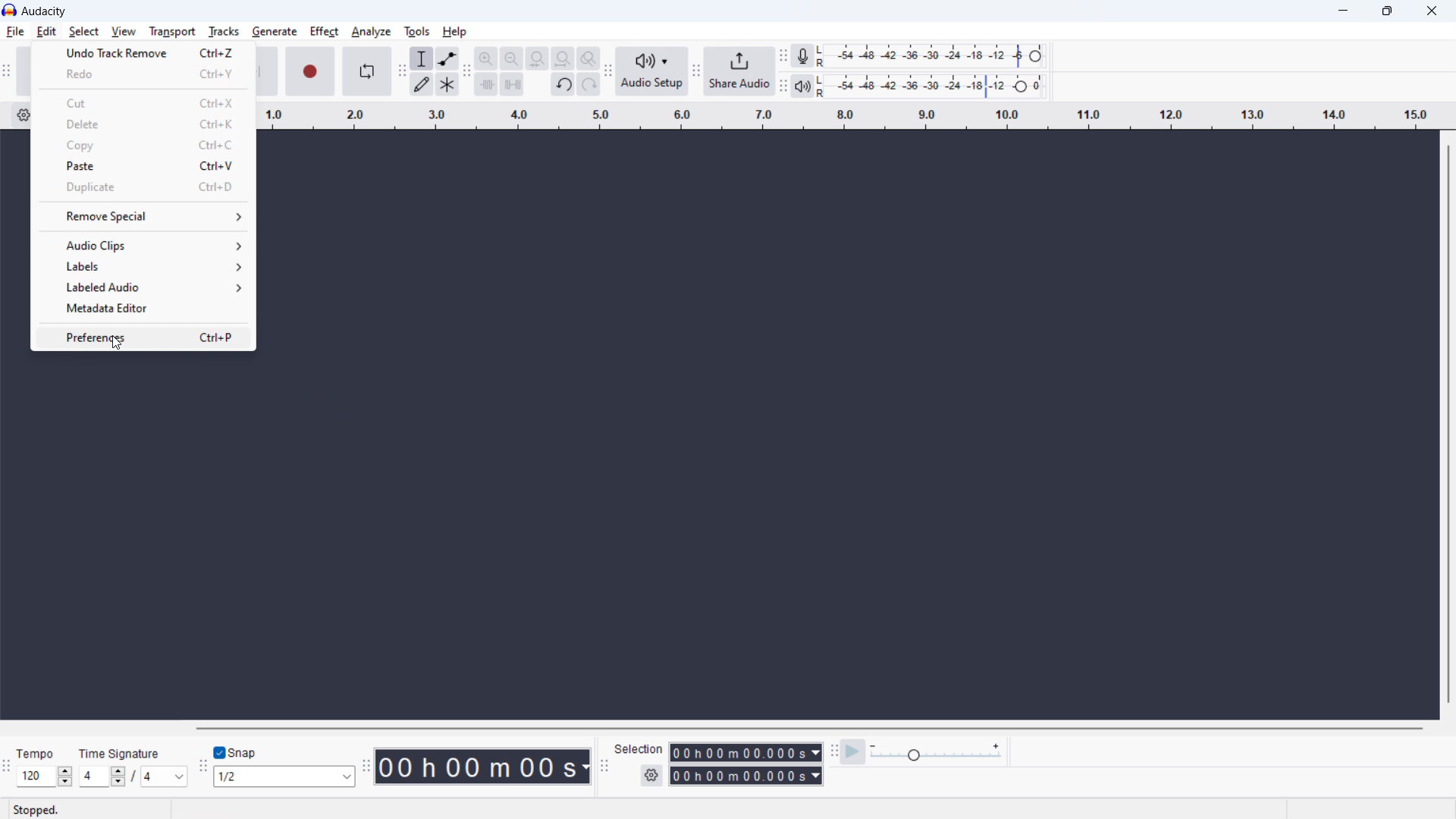  Describe the element at coordinates (24, 116) in the screenshot. I see `timeline settings` at that location.